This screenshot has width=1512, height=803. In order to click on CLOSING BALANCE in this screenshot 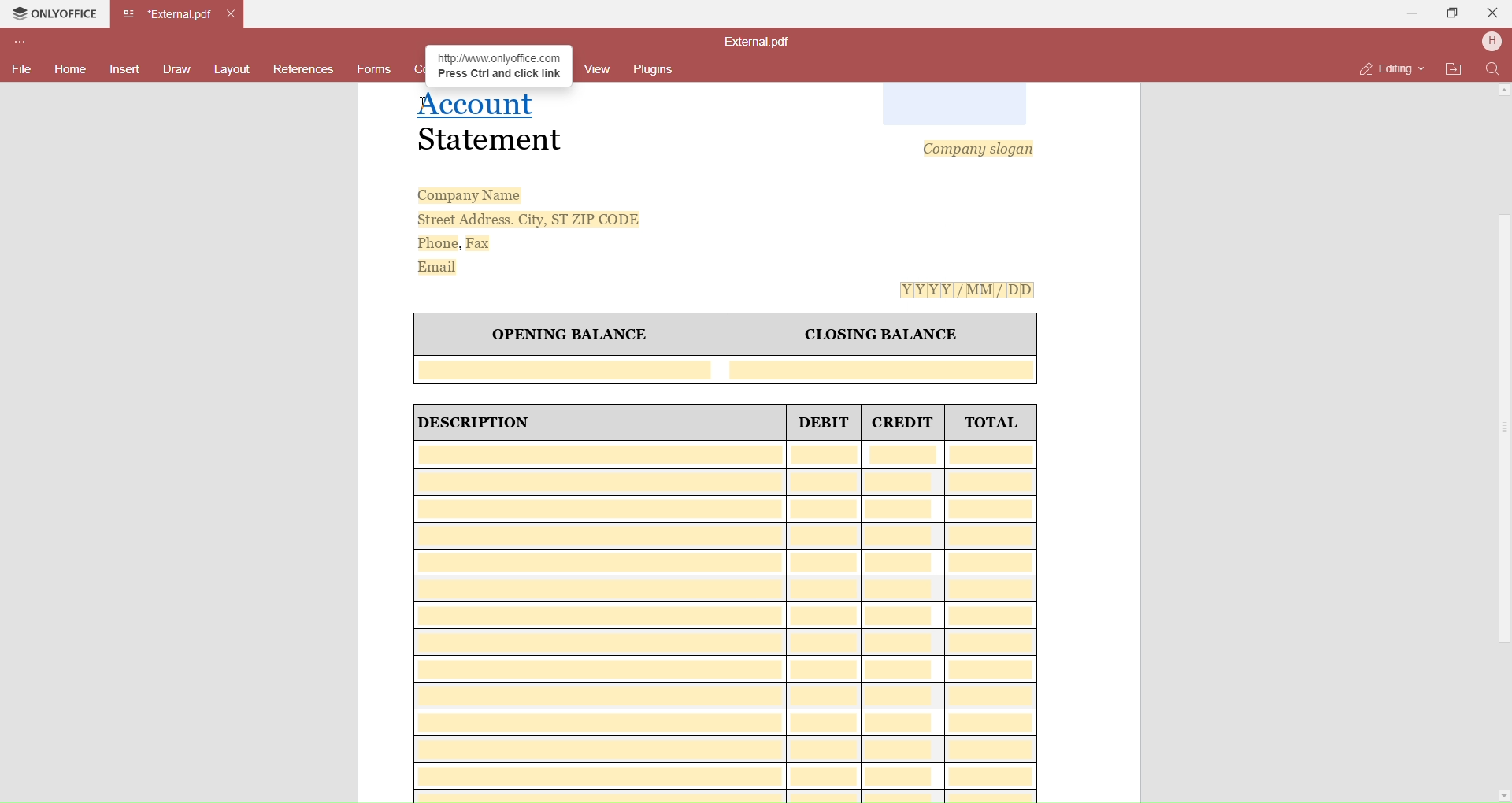, I will do `click(882, 336)`.